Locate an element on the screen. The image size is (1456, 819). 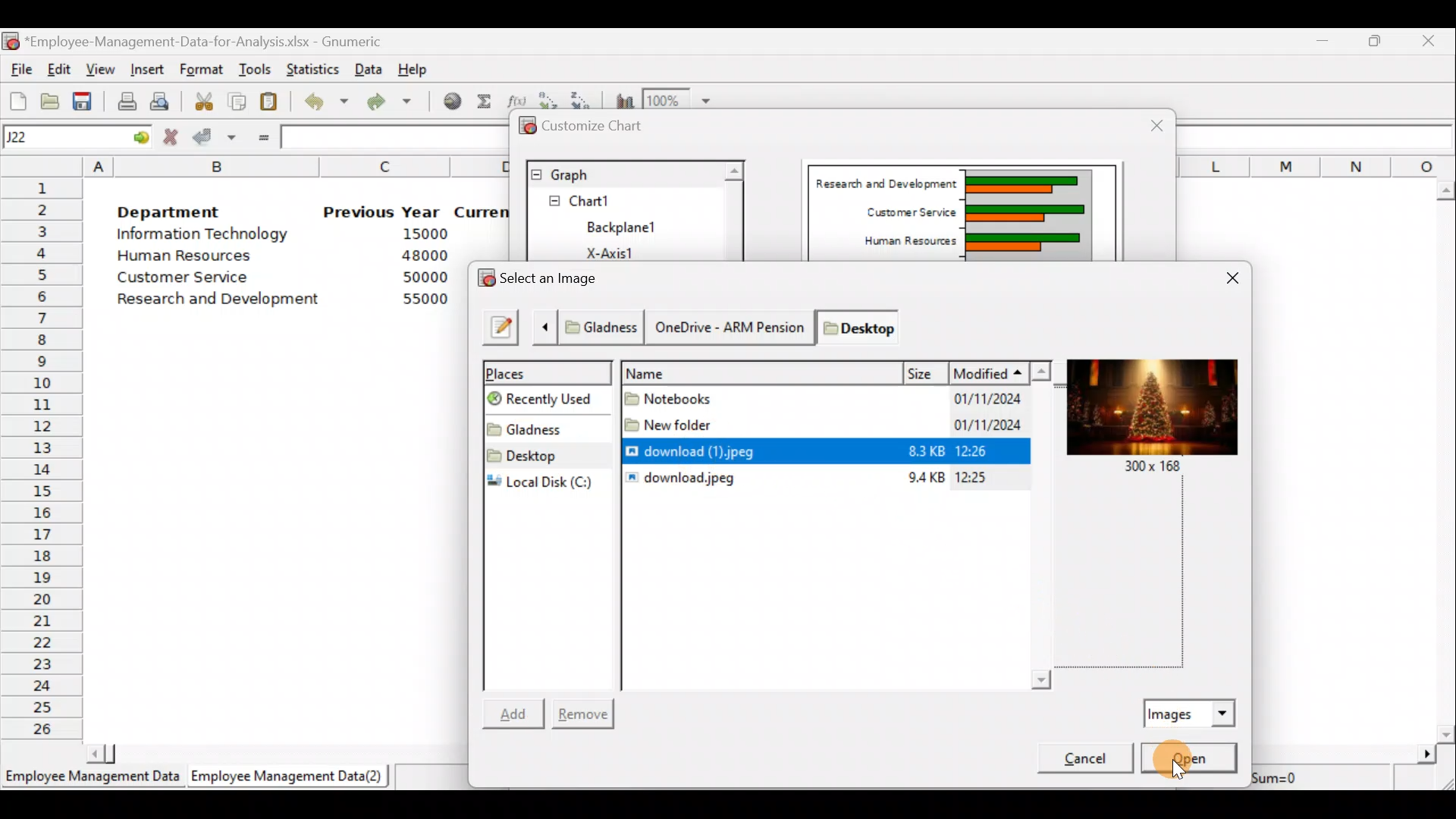
Close is located at coordinates (1147, 124).